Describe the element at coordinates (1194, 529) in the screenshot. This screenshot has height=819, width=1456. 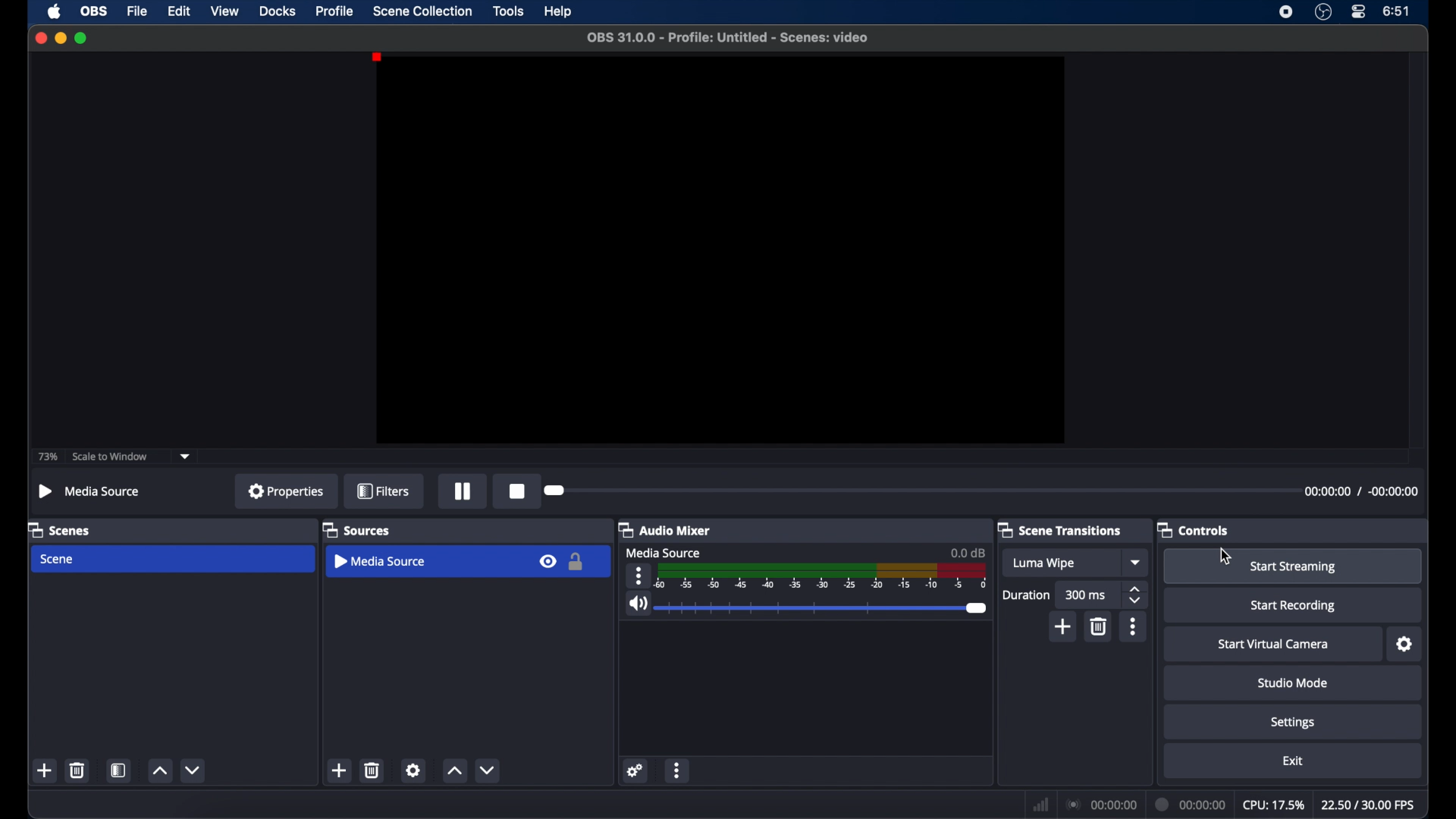
I see `controls` at that location.